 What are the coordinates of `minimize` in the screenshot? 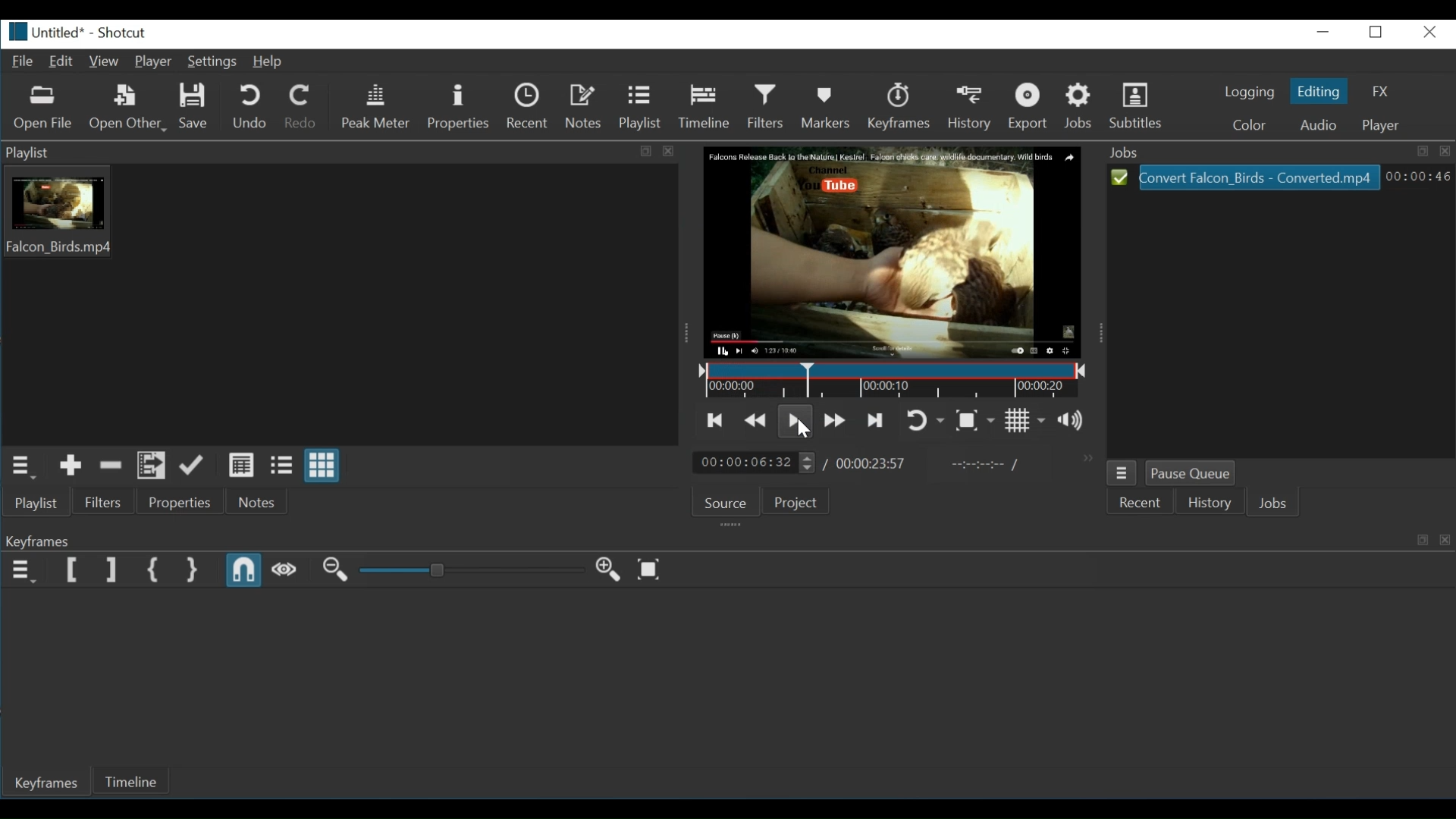 It's located at (1323, 32).